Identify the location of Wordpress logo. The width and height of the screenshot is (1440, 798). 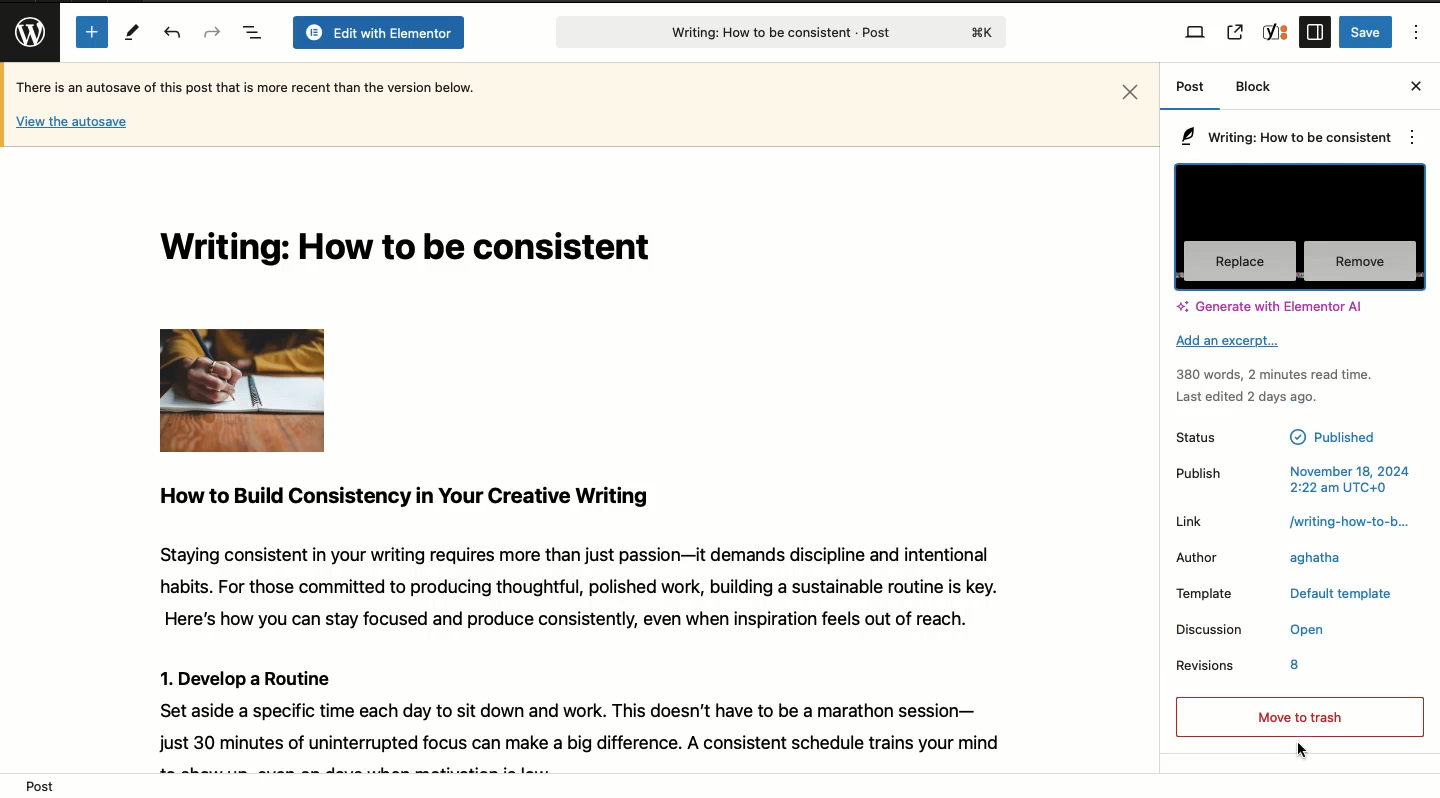
(25, 32).